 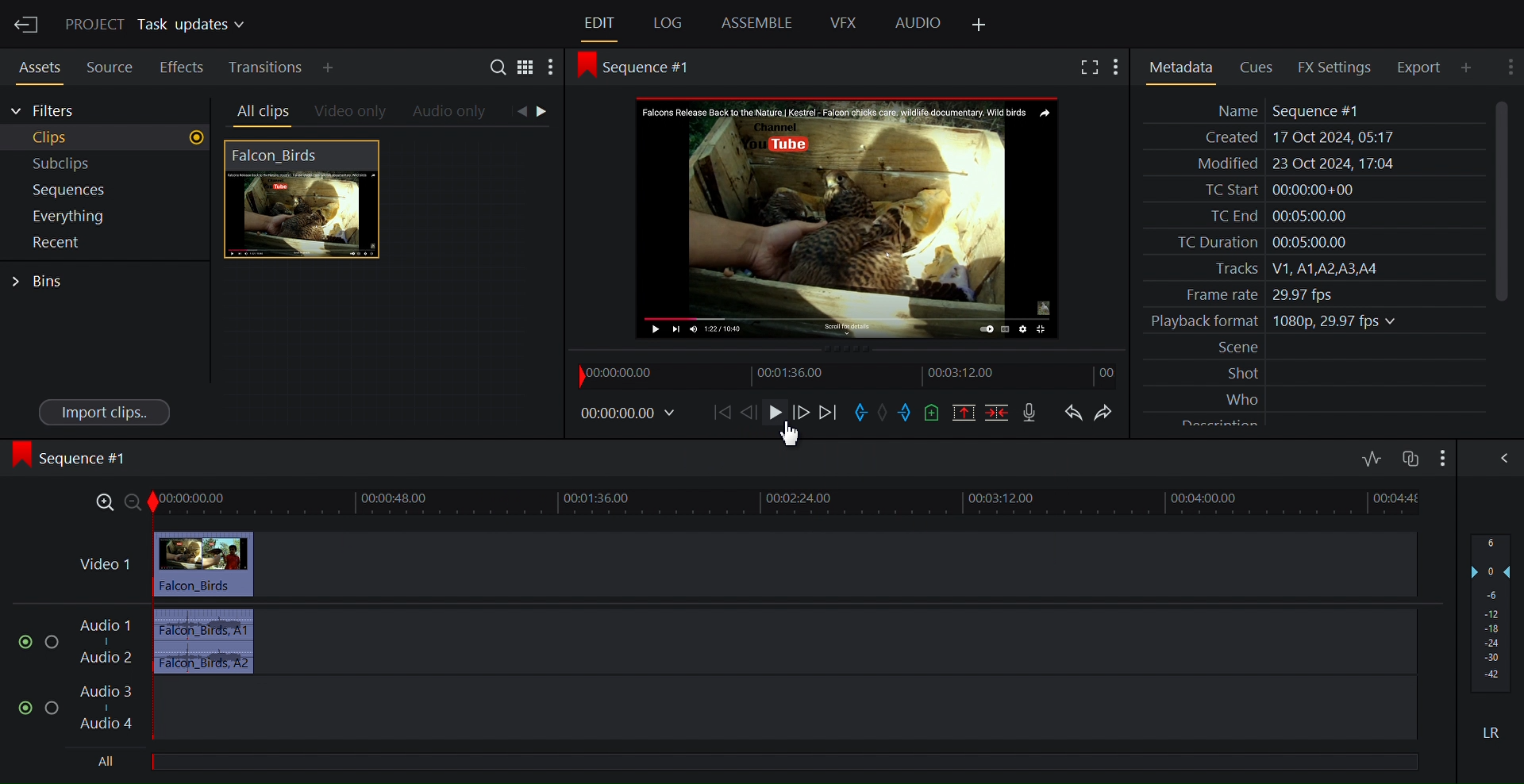 I want to click on Timecodes and reels, so click(x=631, y=413).